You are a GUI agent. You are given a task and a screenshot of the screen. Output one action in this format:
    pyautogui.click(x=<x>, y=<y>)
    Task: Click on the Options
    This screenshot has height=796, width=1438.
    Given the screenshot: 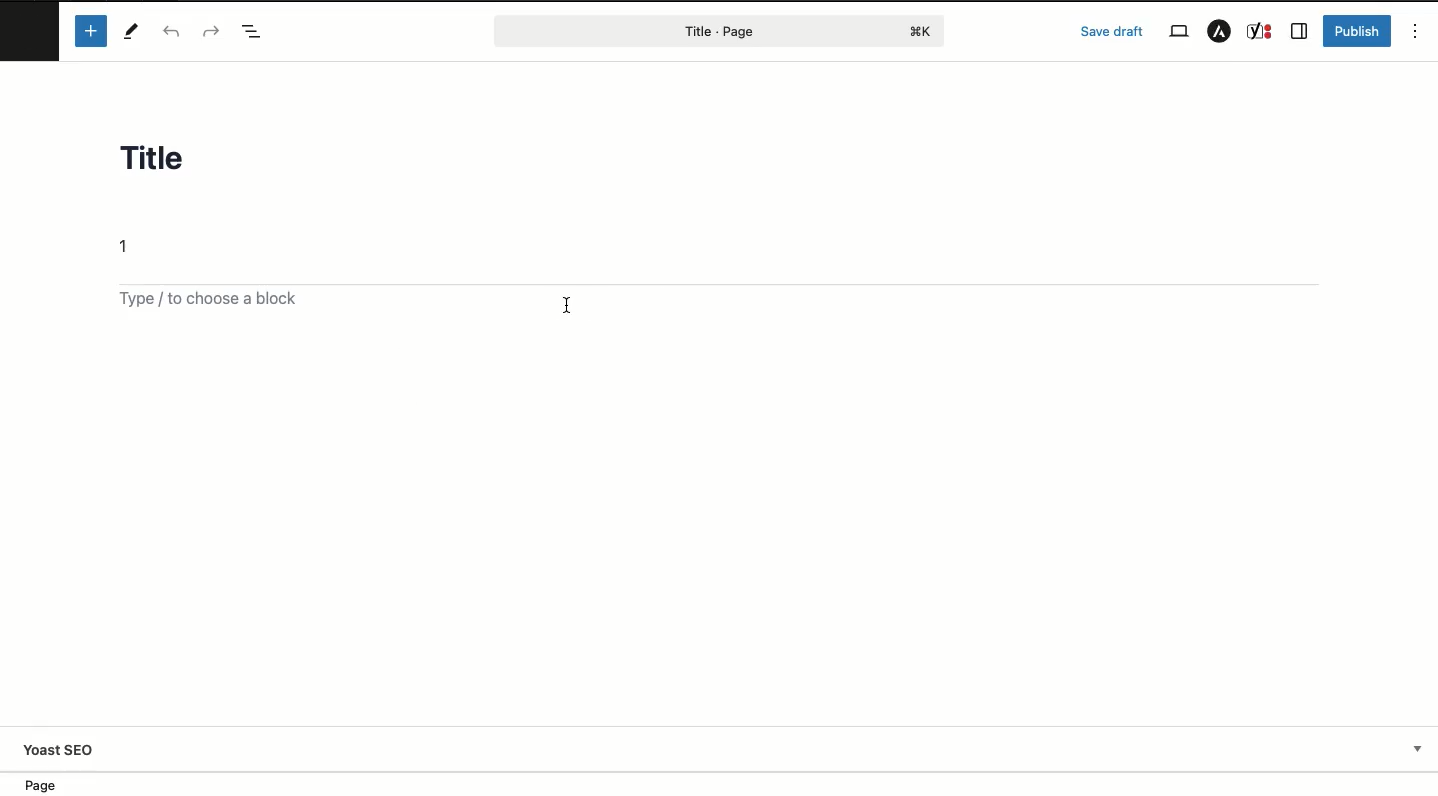 What is the action you would take?
    pyautogui.click(x=1416, y=30)
    